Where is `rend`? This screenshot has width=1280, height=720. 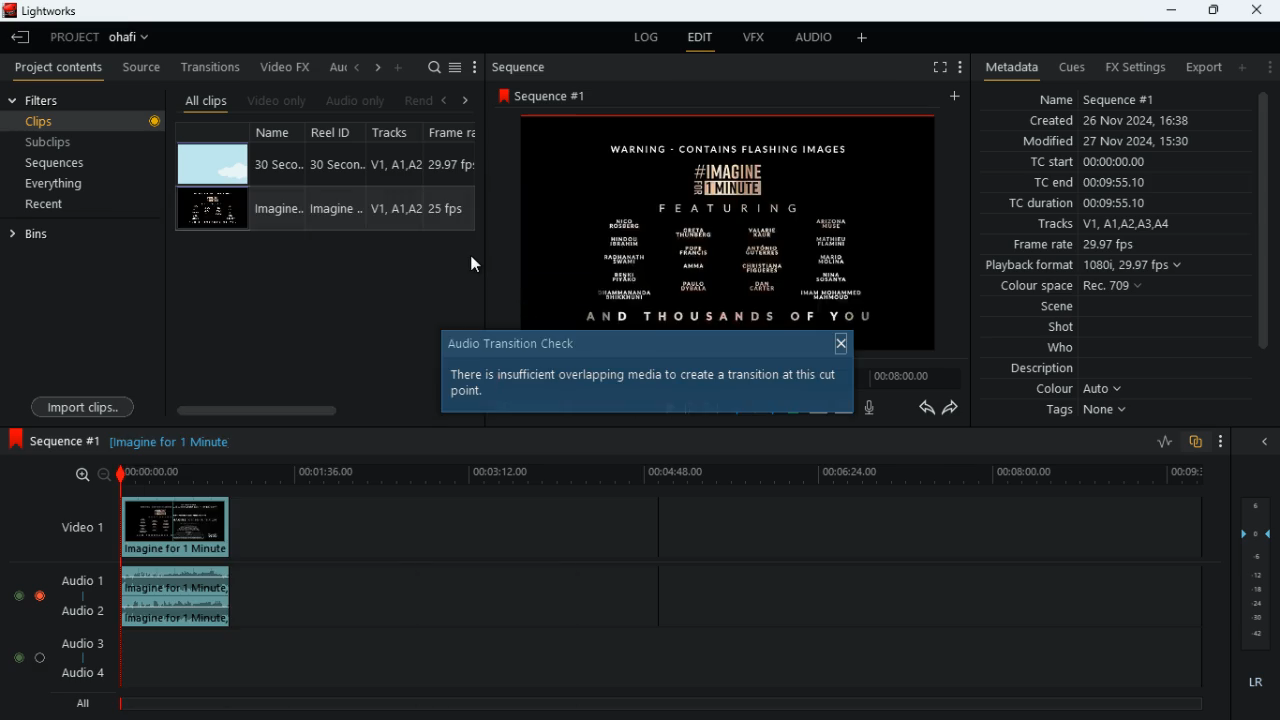
rend is located at coordinates (418, 102).